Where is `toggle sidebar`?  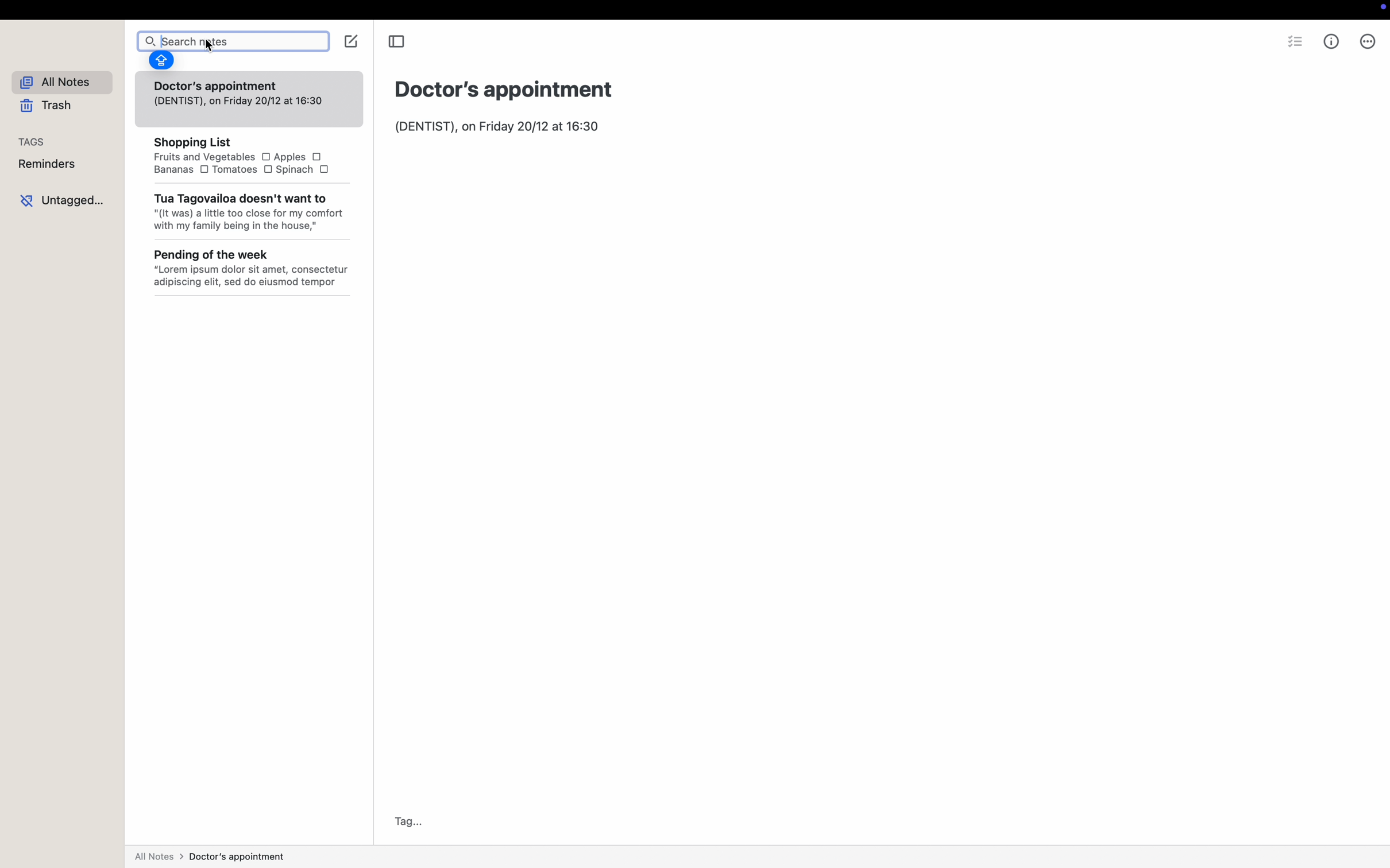 toggle sidebar is located at coordinates (398, 42).